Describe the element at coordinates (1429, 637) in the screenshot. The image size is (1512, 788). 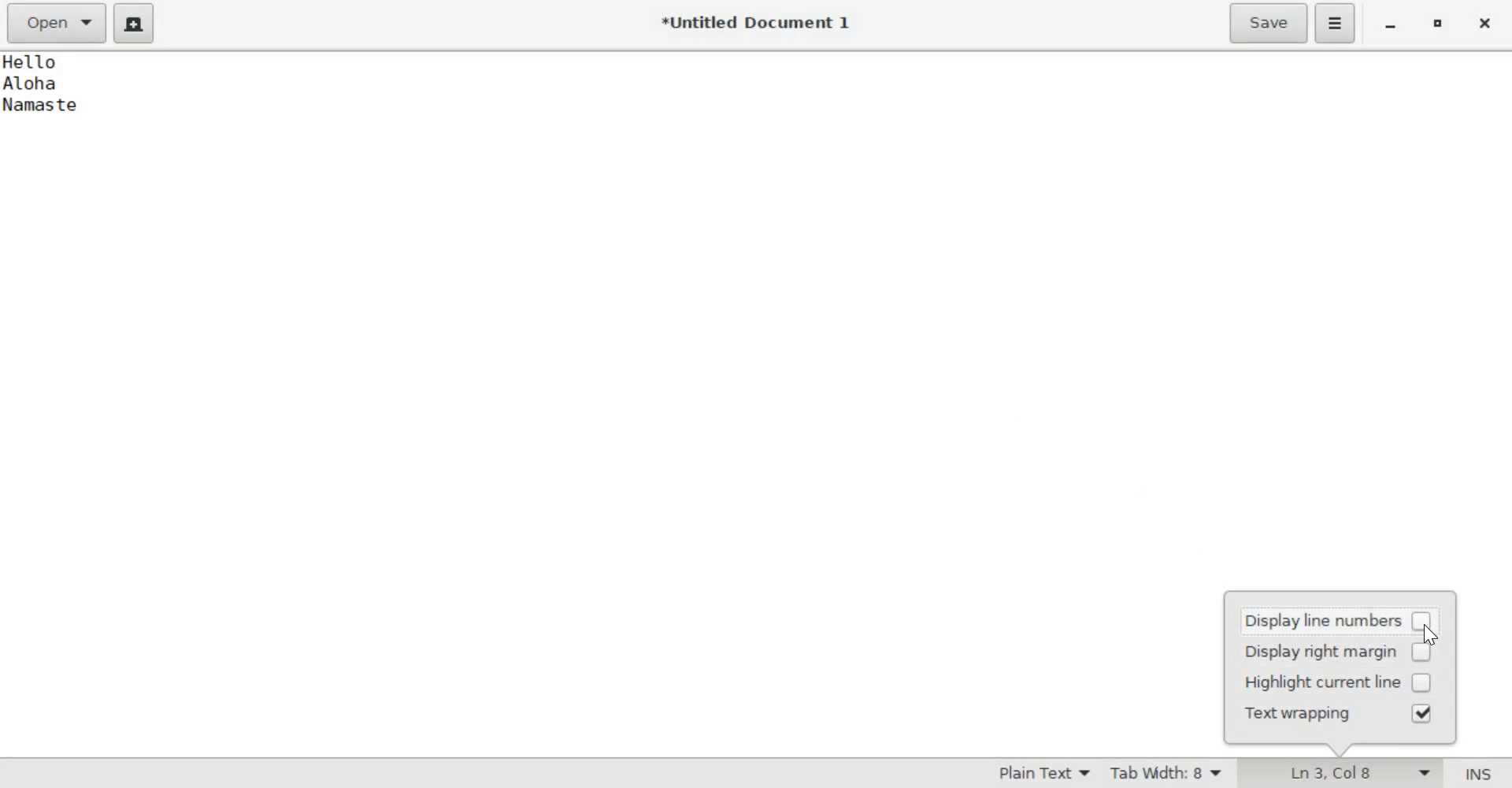
I see `cursor` at that location.